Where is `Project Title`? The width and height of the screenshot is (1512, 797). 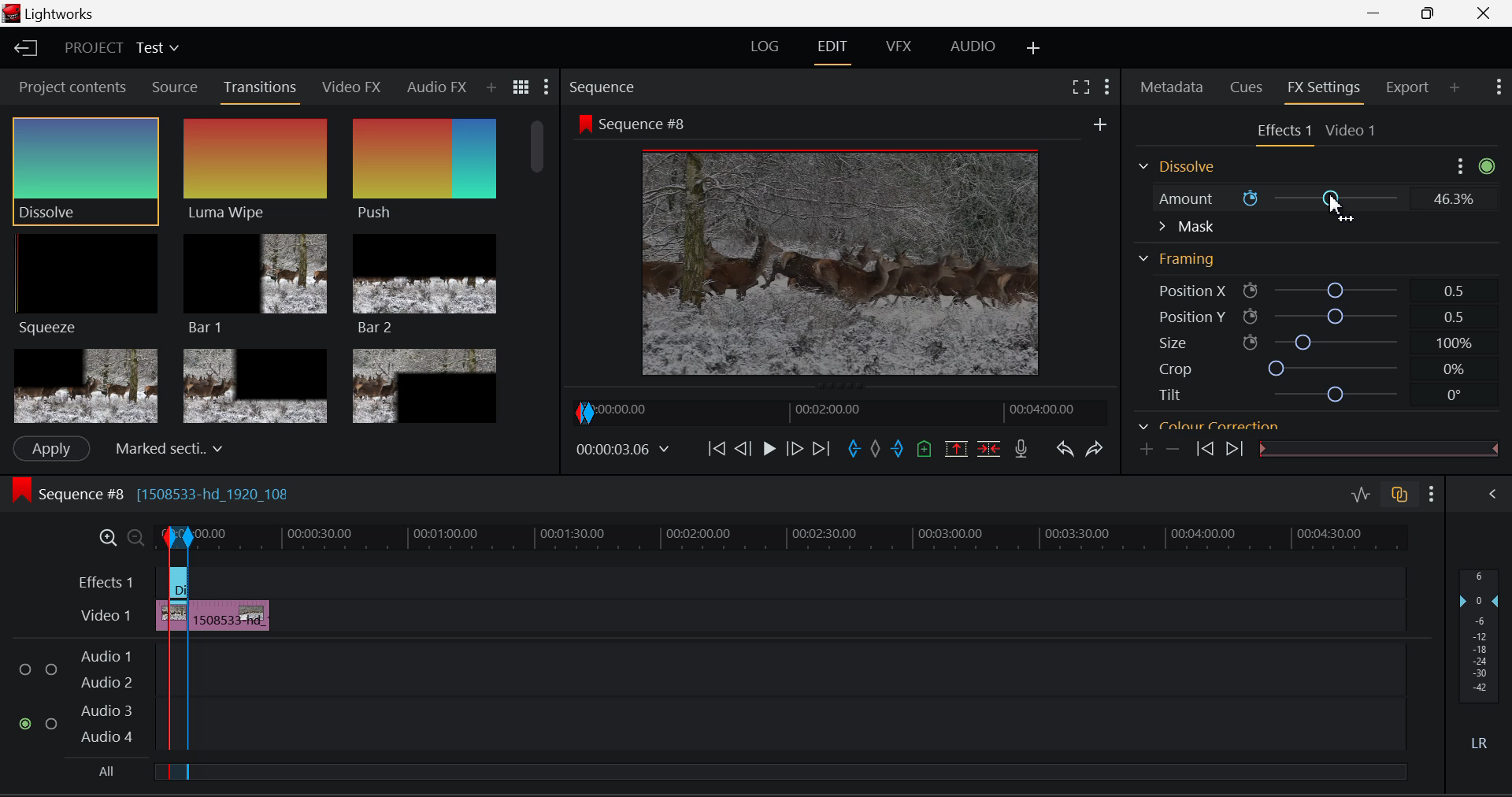 Project Title is located at coordinates (120, 46).